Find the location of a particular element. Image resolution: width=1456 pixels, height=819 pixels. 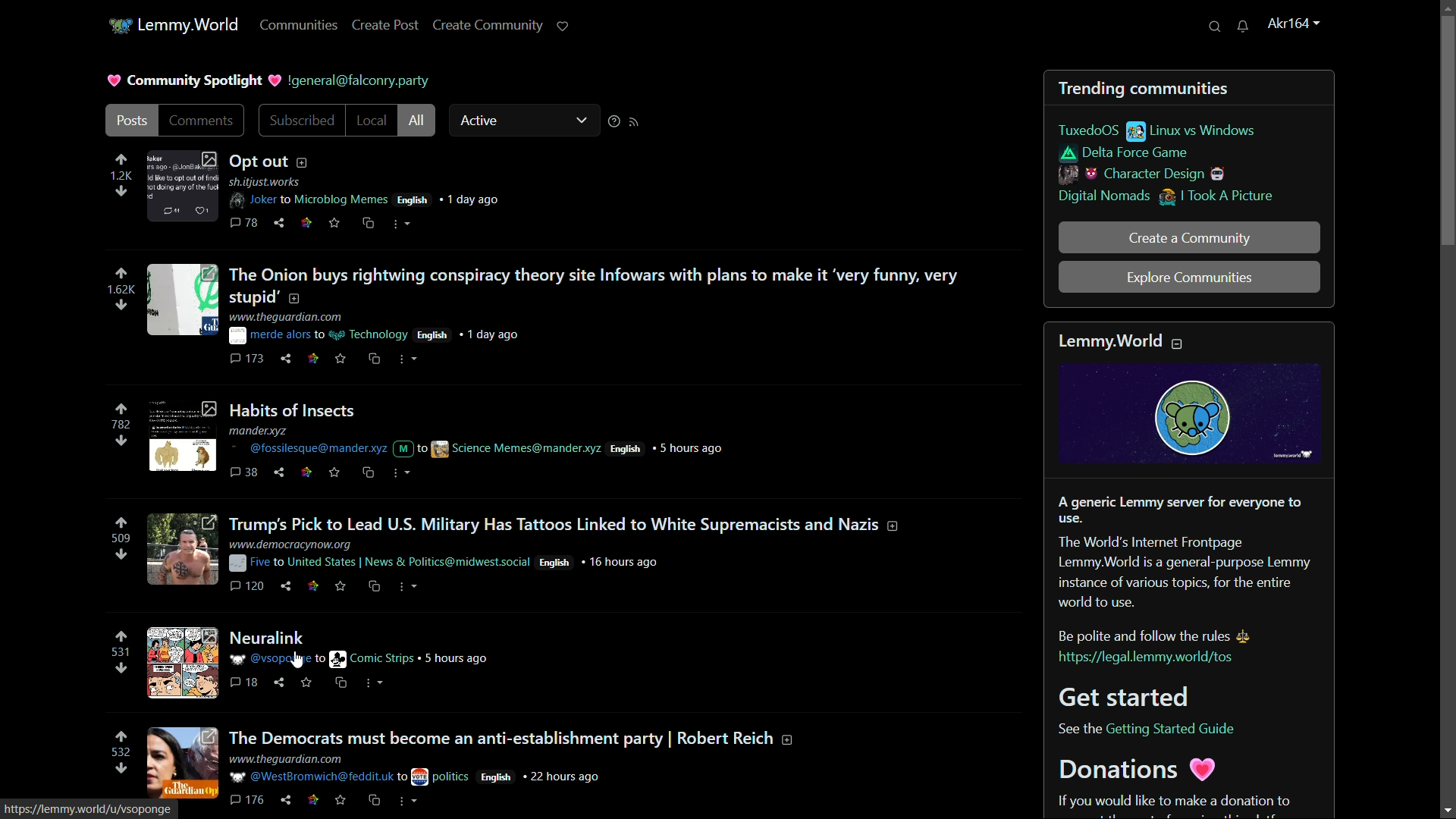

comments is located at coordinates (248, 586).